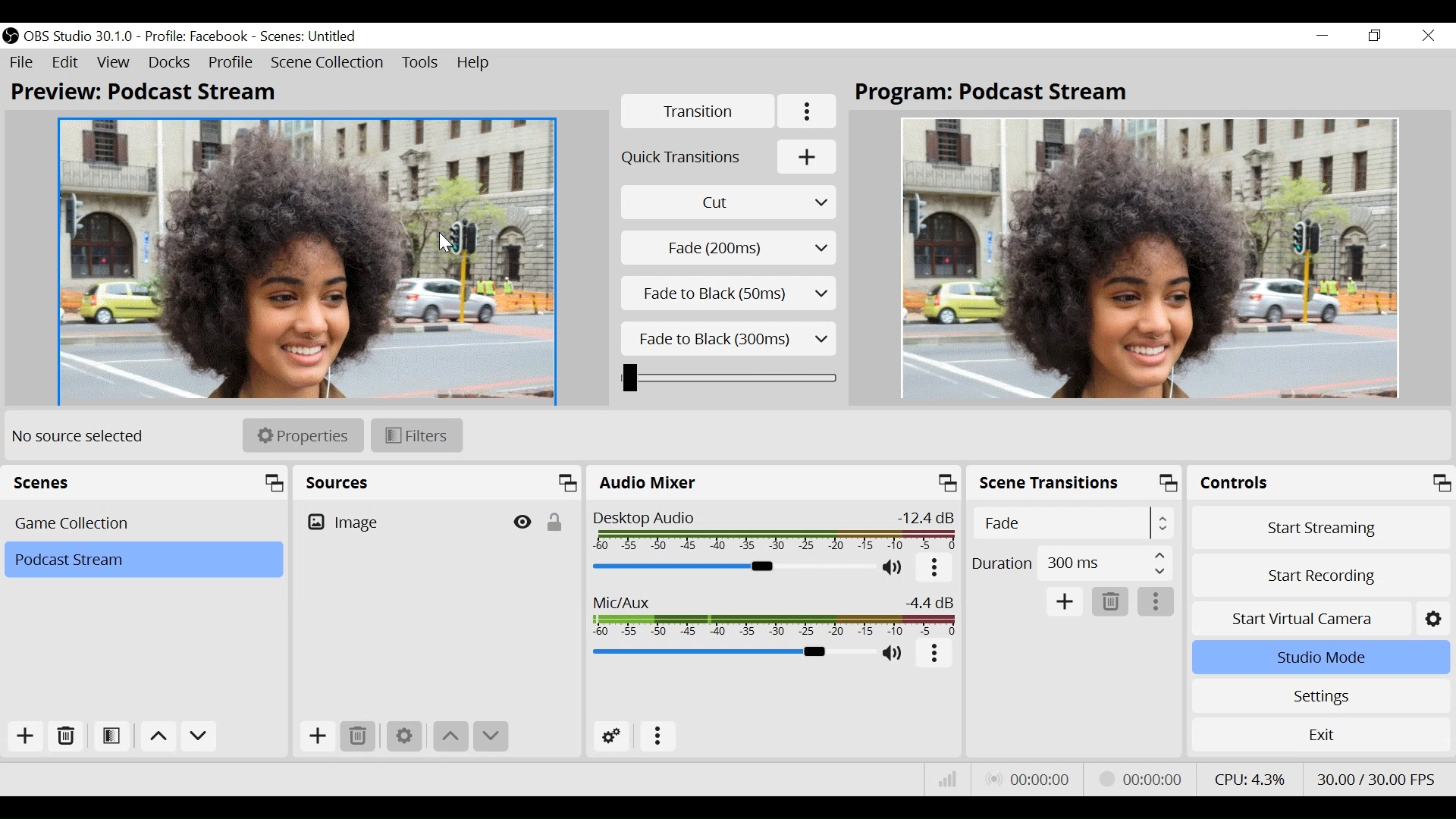  What do you see at coordinates (360, 736) in the screenshot?
I see `Remove` at bounding box center [360, 736].